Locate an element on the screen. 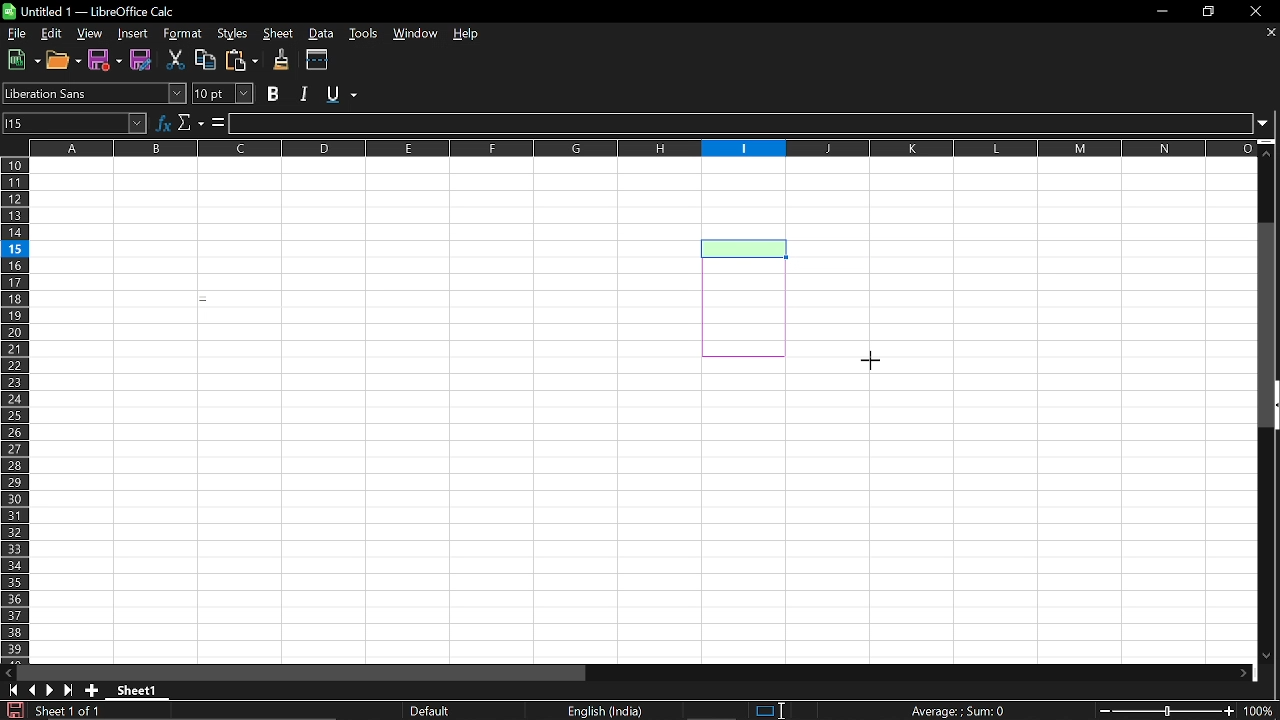  Formula is located at coordinates (958, 710).